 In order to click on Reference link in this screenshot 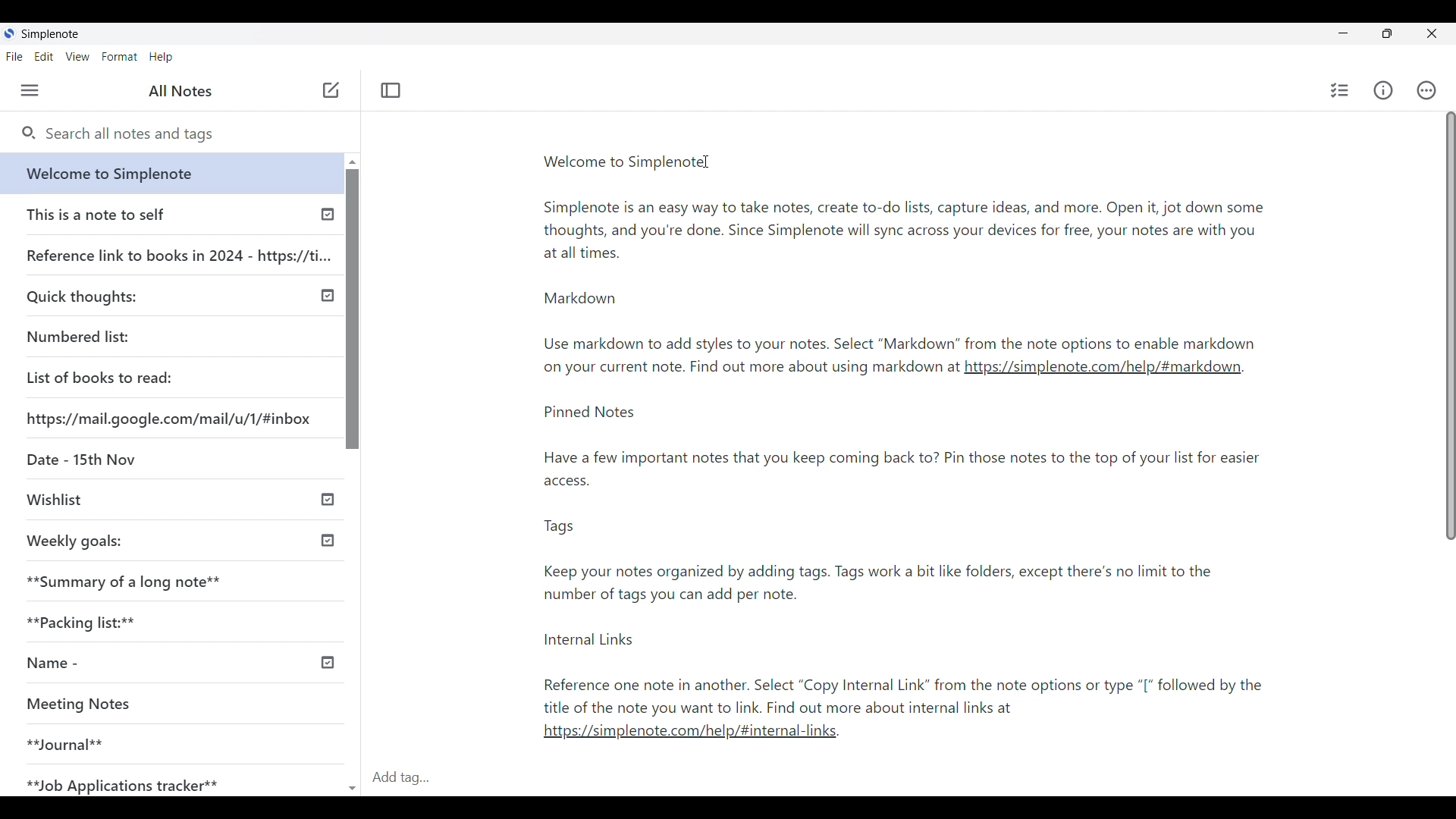, I will do `click(179, 253)`.